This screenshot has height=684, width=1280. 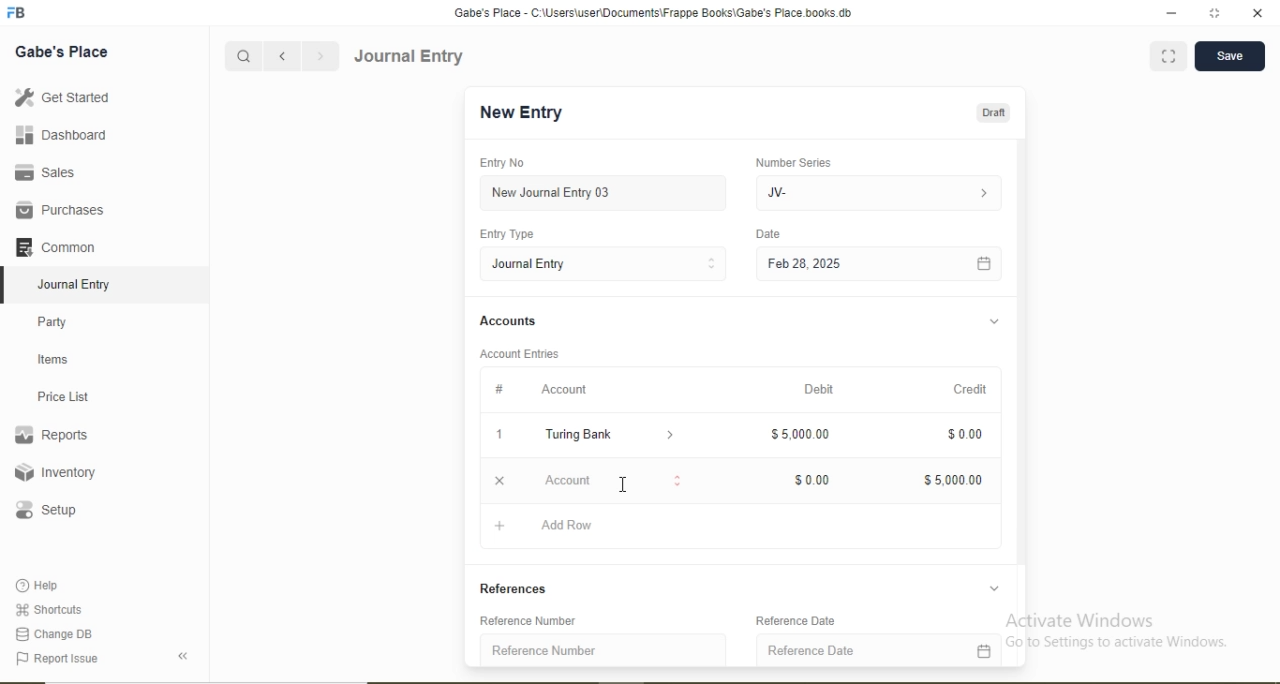 I want to click on Change DB, so click(x=52, y=635).